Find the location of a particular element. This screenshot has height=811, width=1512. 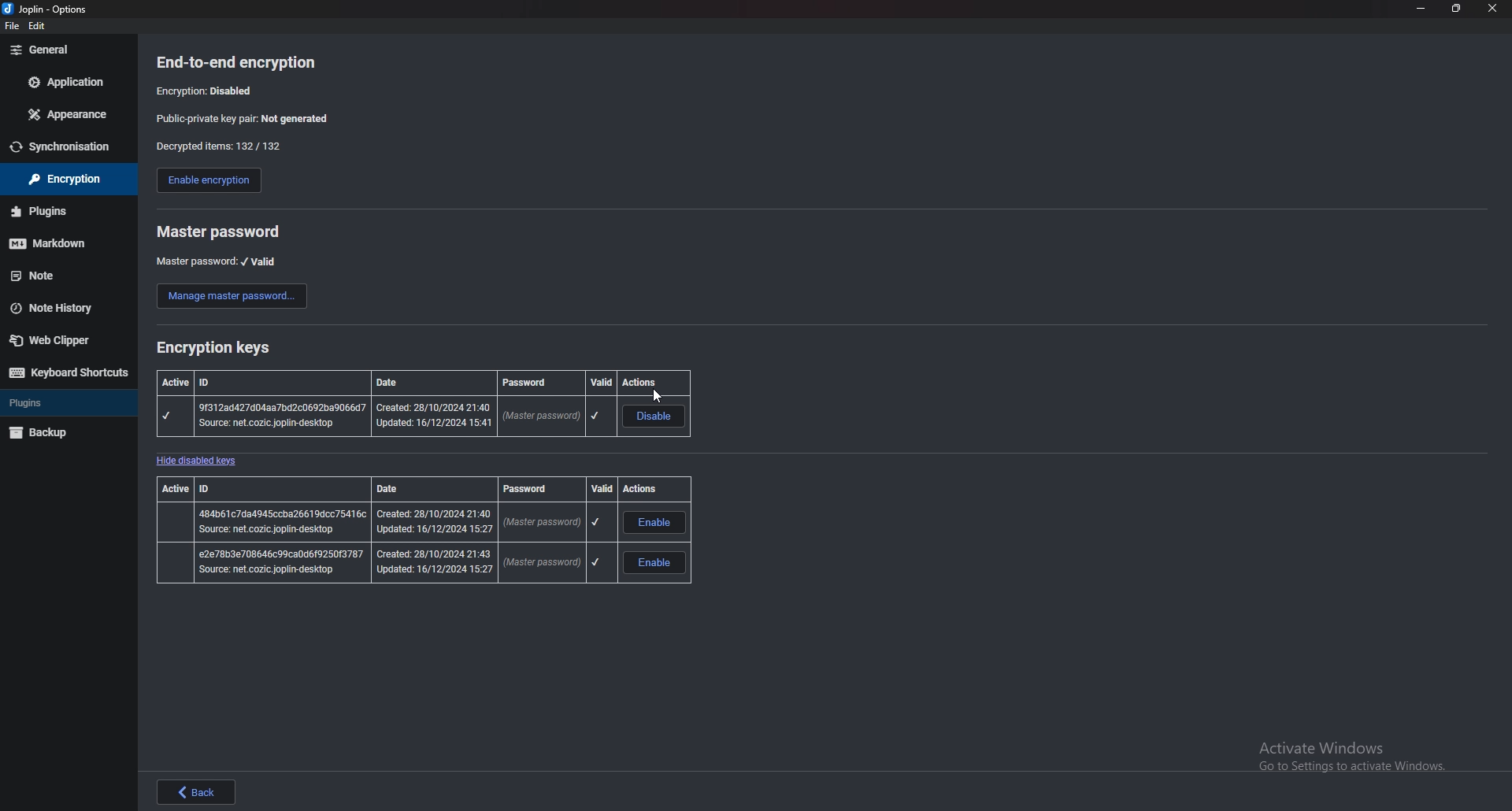

close is located at coordinates (1491, 9).